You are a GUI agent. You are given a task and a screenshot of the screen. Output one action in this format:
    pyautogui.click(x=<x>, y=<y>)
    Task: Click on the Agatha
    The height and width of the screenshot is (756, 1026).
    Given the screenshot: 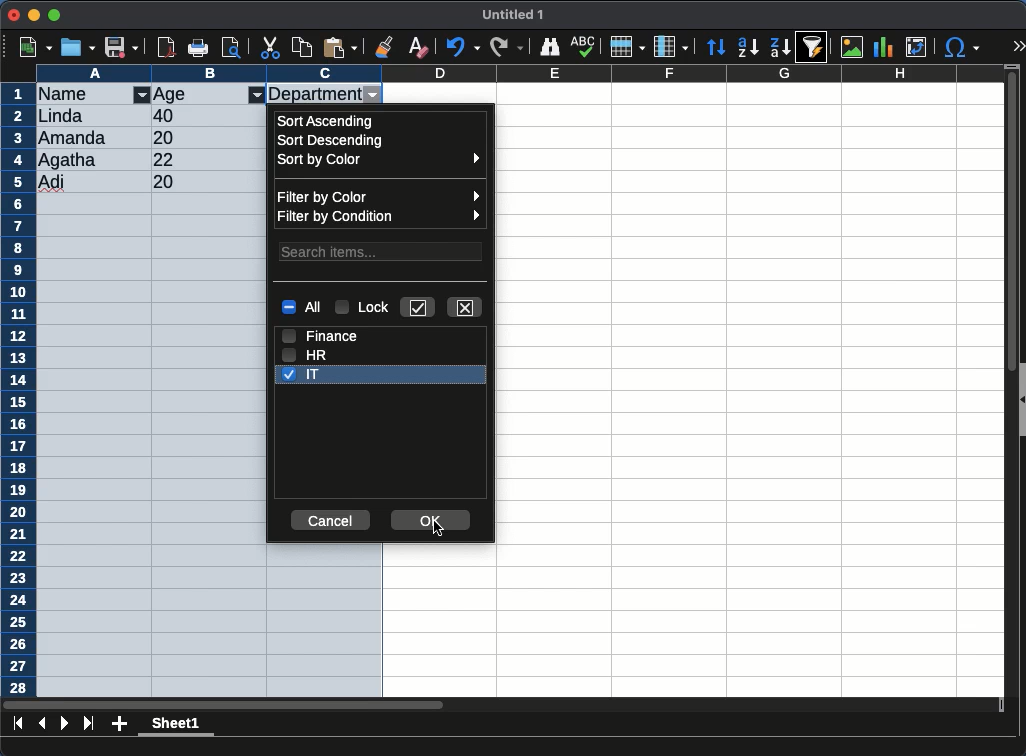 What is the action you would take?
    pyautogui.click(x=68, y=160)
    